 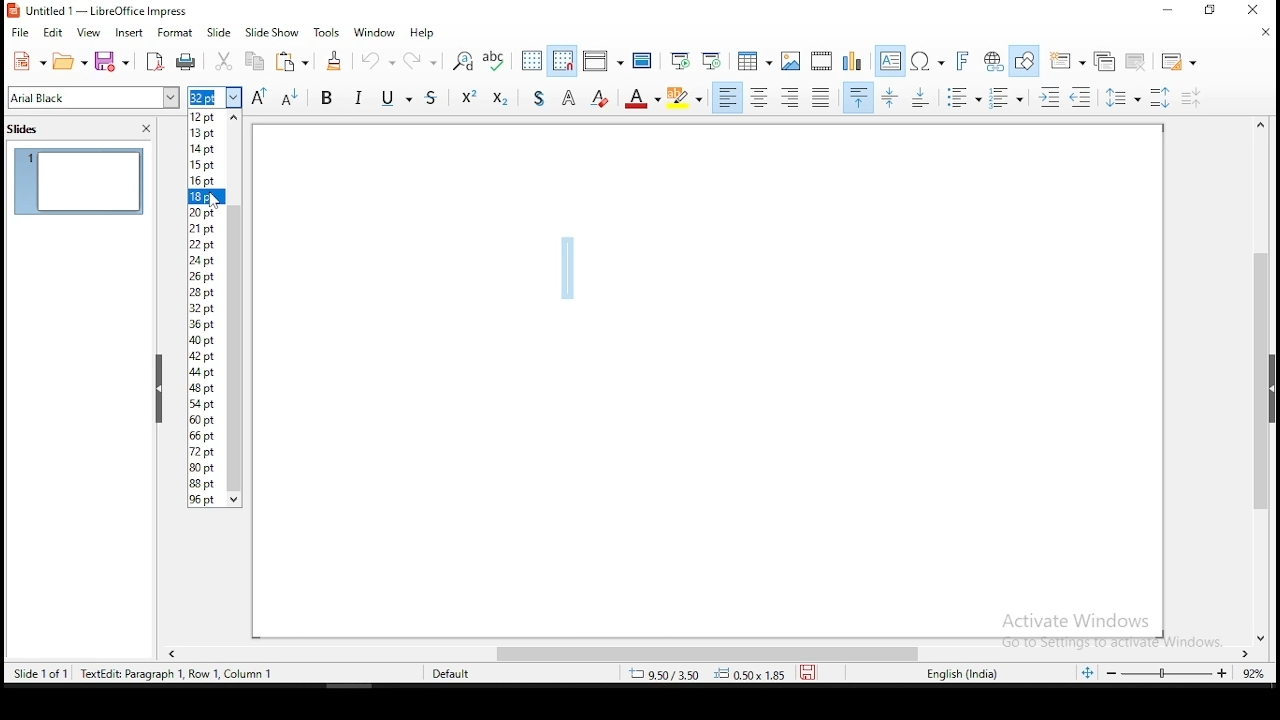 I want to click on delete slide, so click(x=1137, y=61).